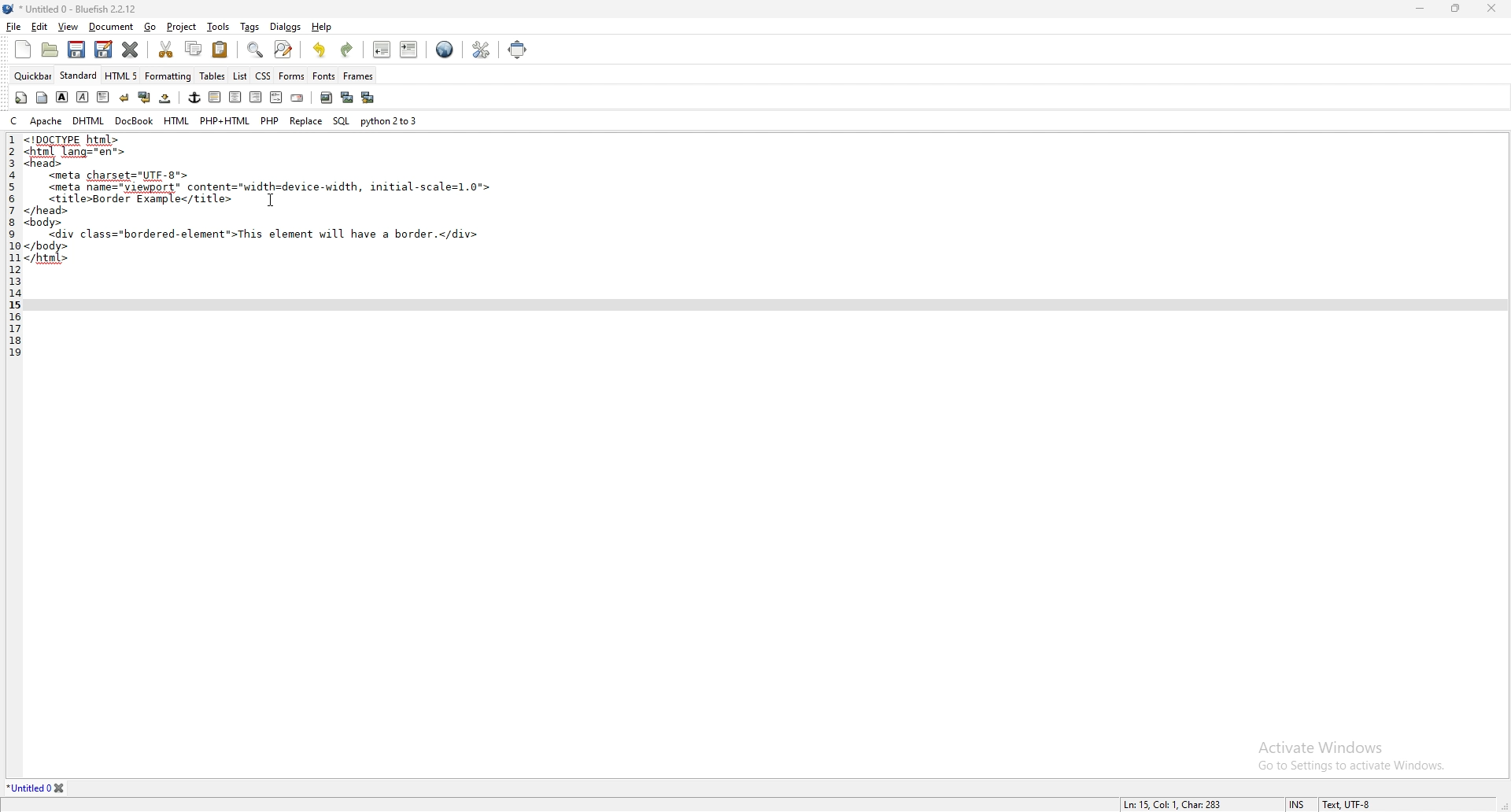  Describe the element at coordinates (82, 97) in the screenshot. I see `italic` at that location.